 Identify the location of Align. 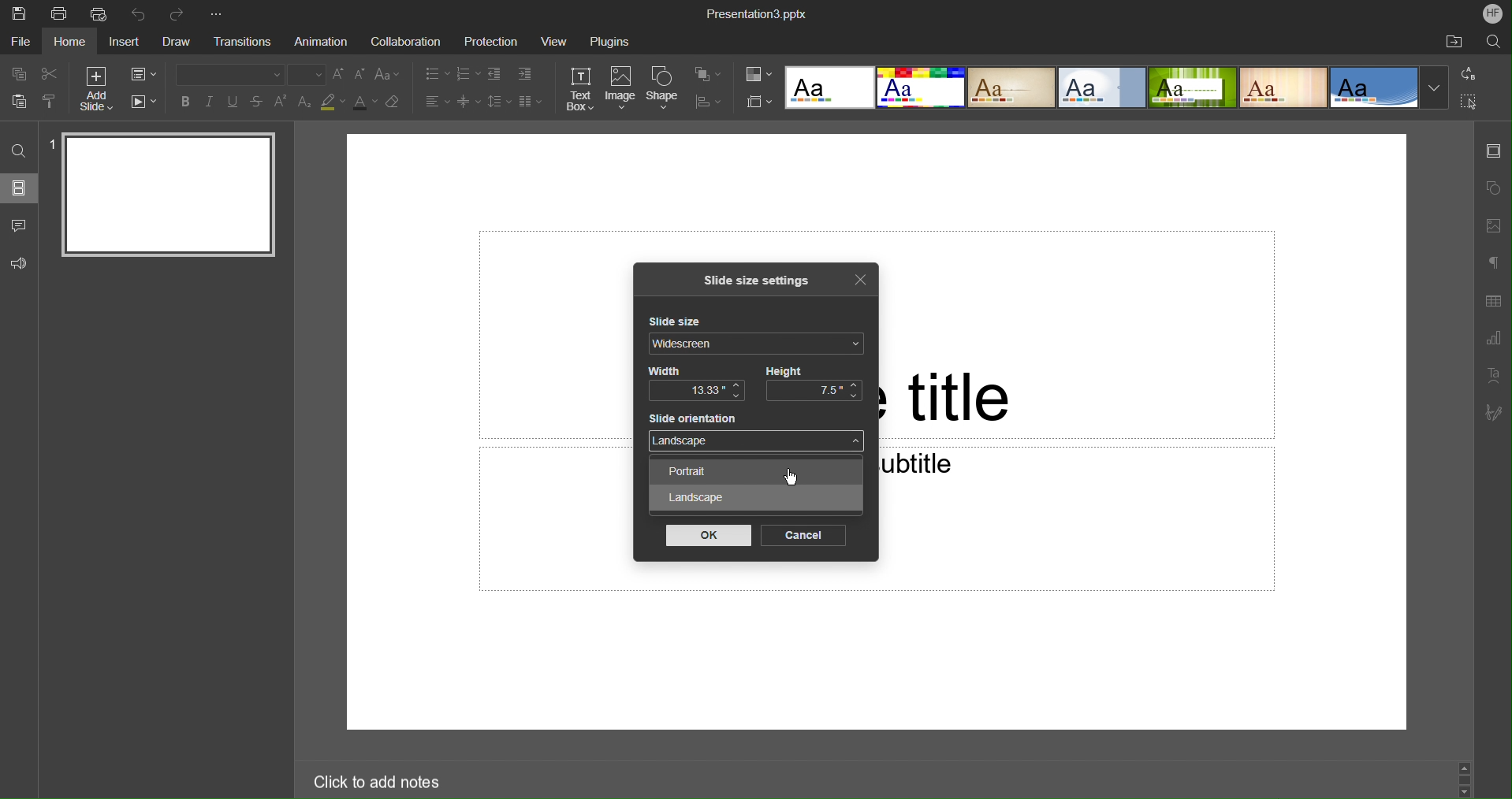
(709, 102).